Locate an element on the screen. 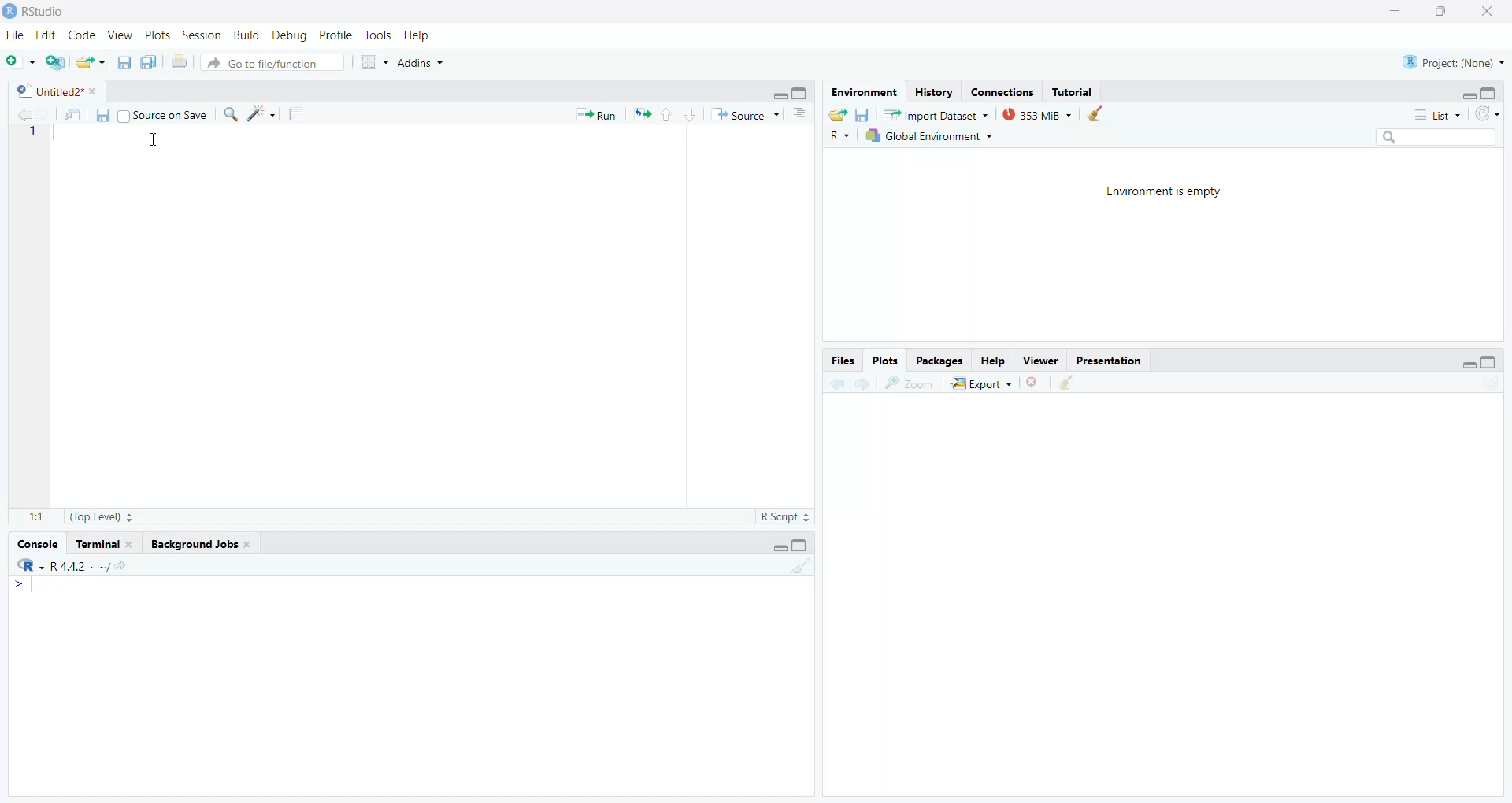 This screenshot has width=1512, height=803. Packages is located at coordinates (943, 361).